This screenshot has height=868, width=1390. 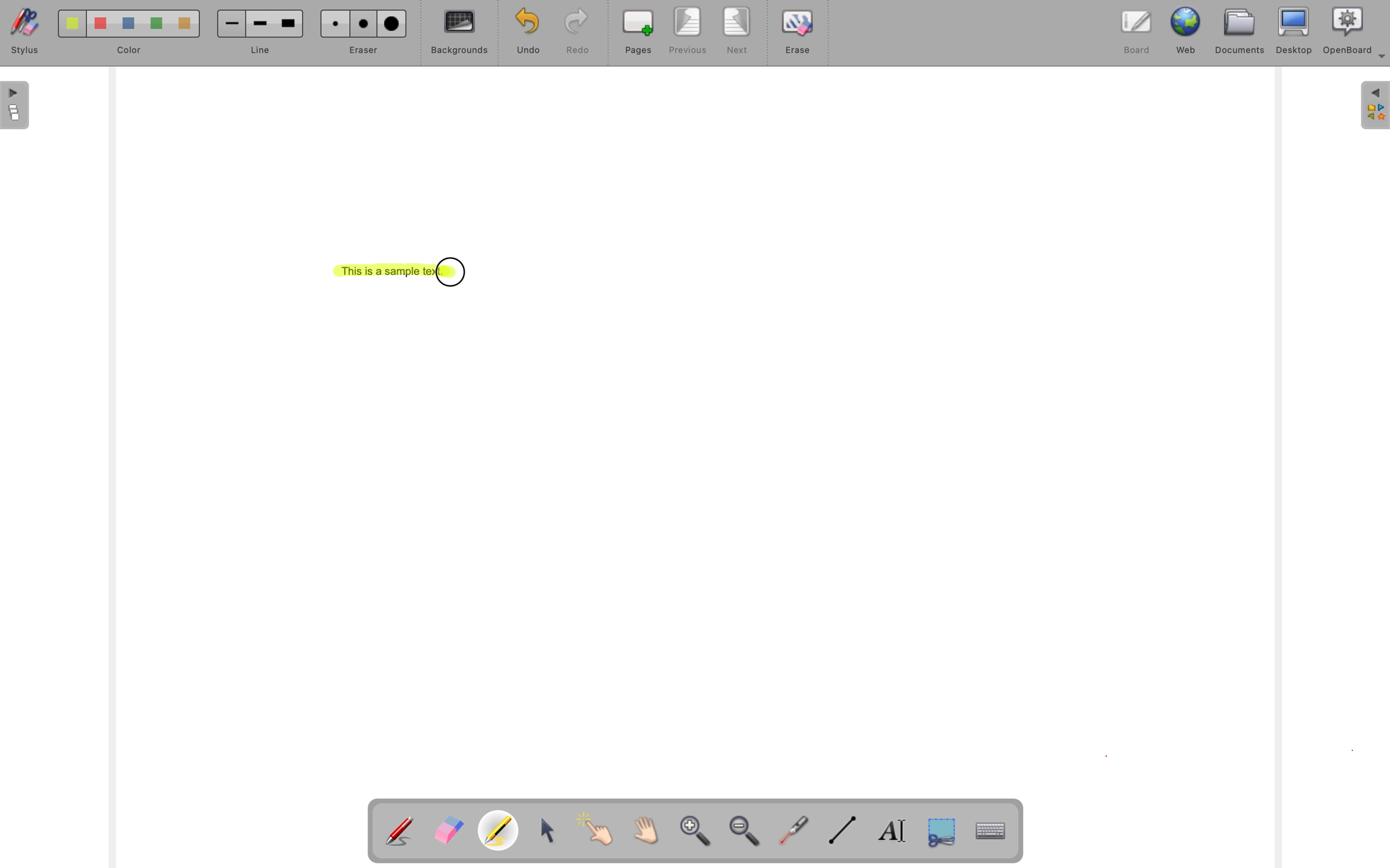 What do you see at coordinates (450, 270) in the screenshot?
I see `cursor` at bounding box center [450, 270].